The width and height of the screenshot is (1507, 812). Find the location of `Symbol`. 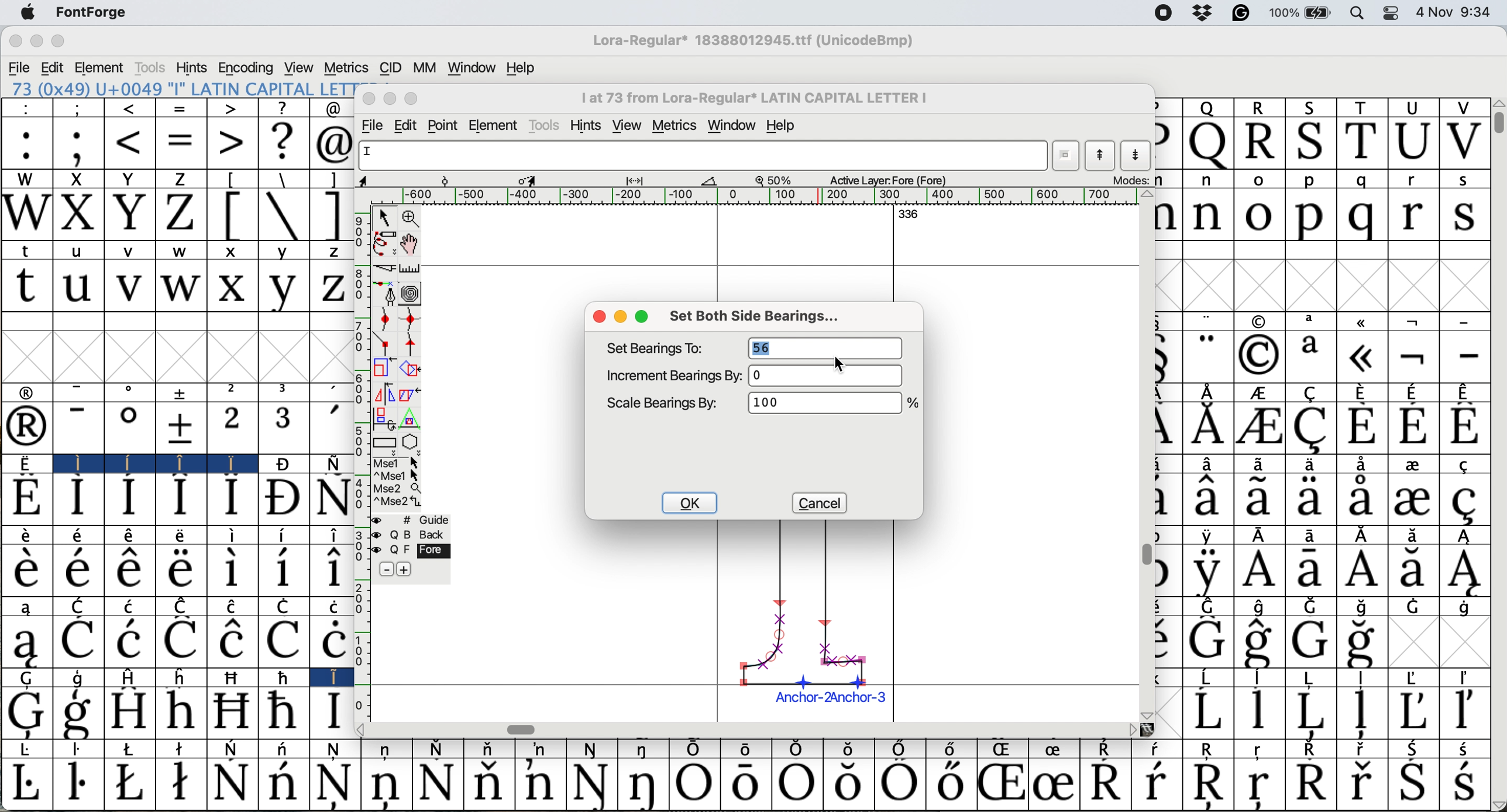

Symbol is located at coordinates (1158, 750).